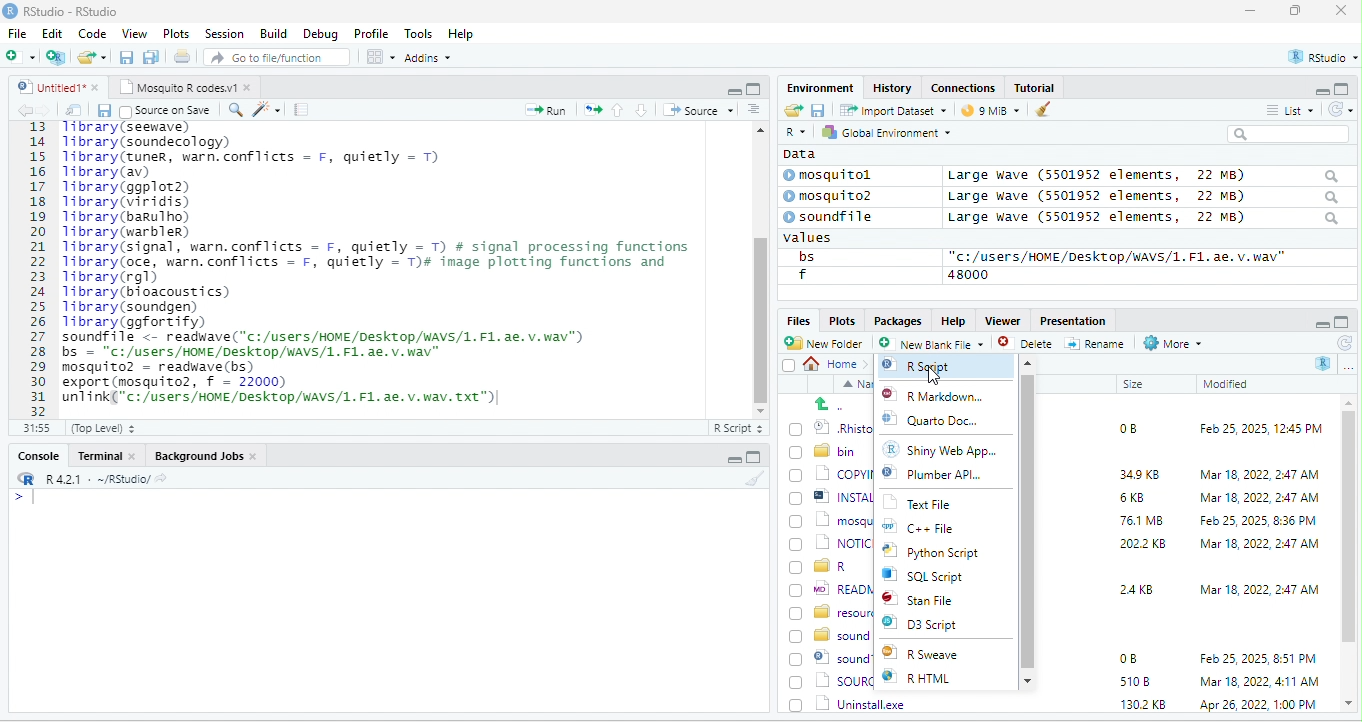 The height and width of the screenshot is (722, 1362). Describe the element at coordinates (1145, 196) in the screenshot. I see `Large wave (550139372 elements, JZ MB)` at that location.